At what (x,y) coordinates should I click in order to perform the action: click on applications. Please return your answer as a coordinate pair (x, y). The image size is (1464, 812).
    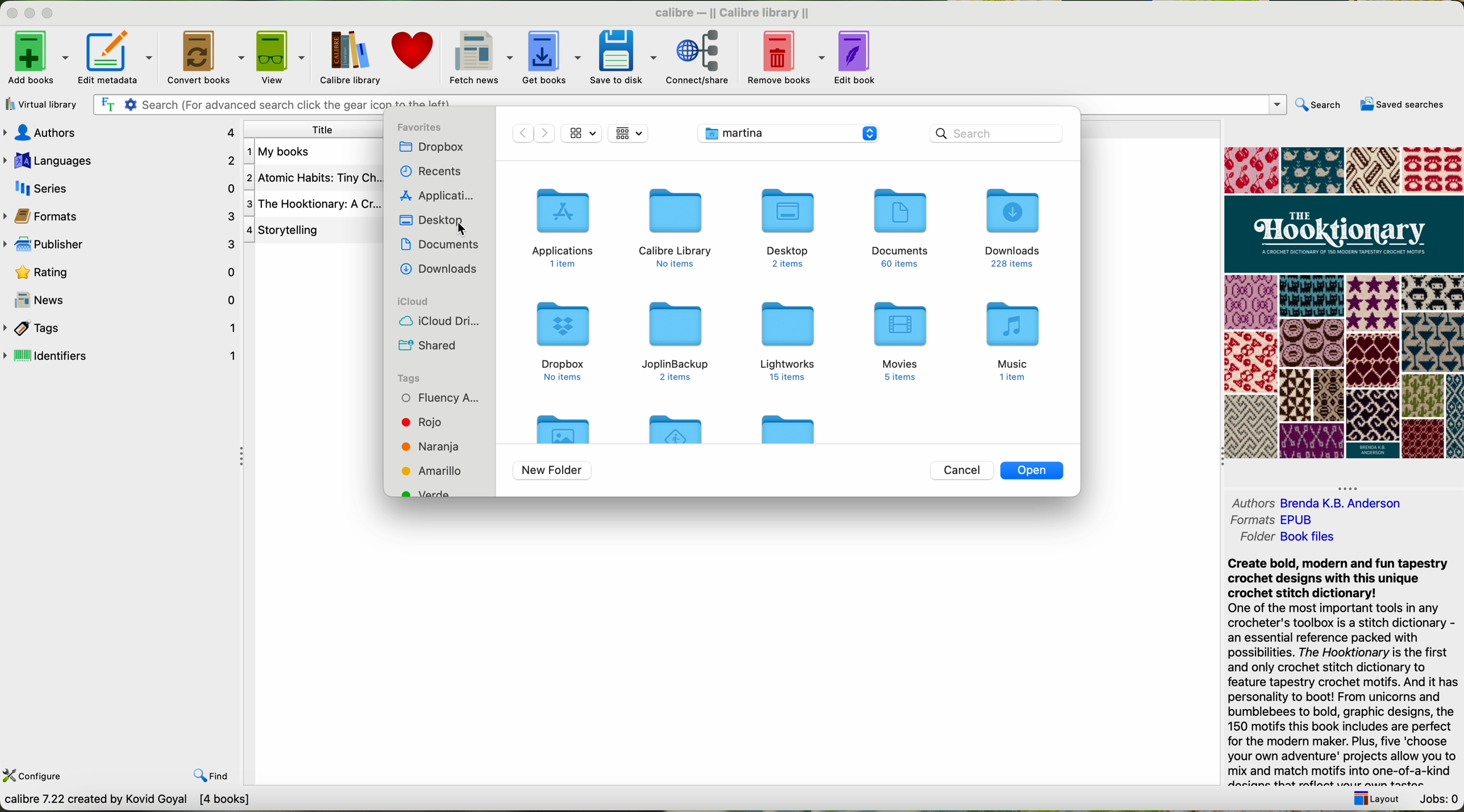
    Looking at the image, I should click on (440, 196).